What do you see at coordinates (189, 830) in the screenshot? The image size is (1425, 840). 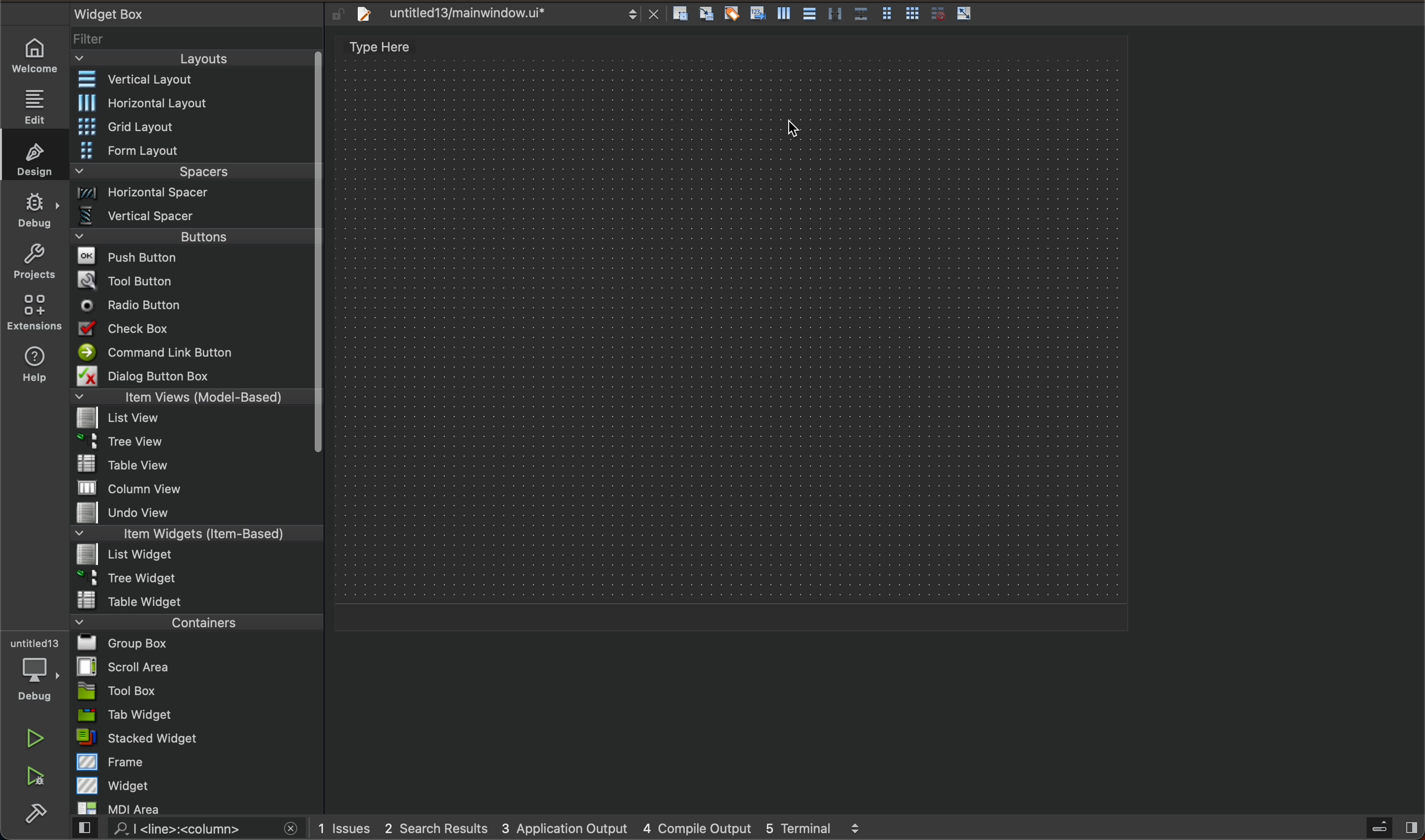 I see `search` at bounding box center [189, 830].